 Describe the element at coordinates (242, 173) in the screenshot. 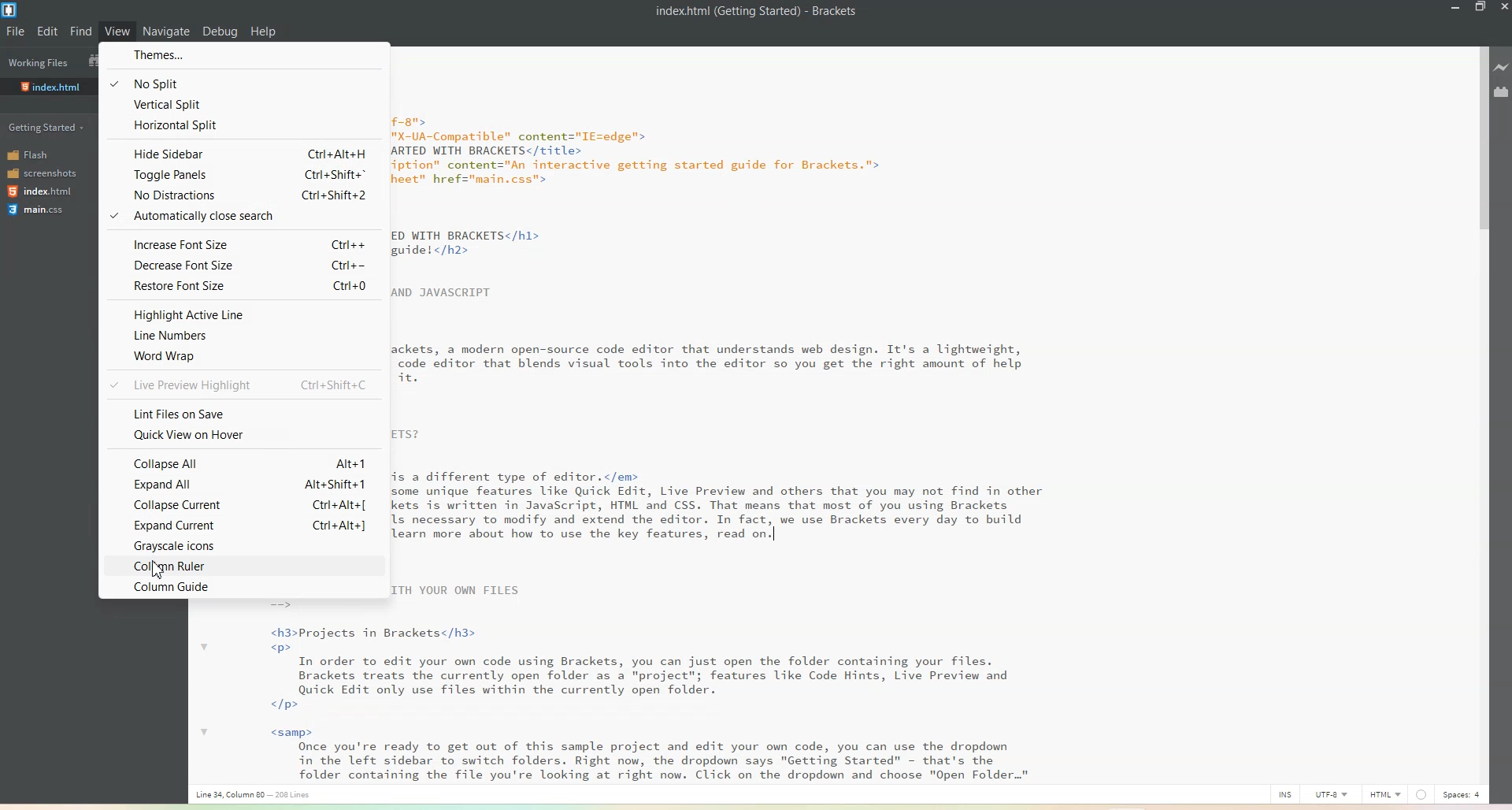

I see `Toggle Panels` at that location.